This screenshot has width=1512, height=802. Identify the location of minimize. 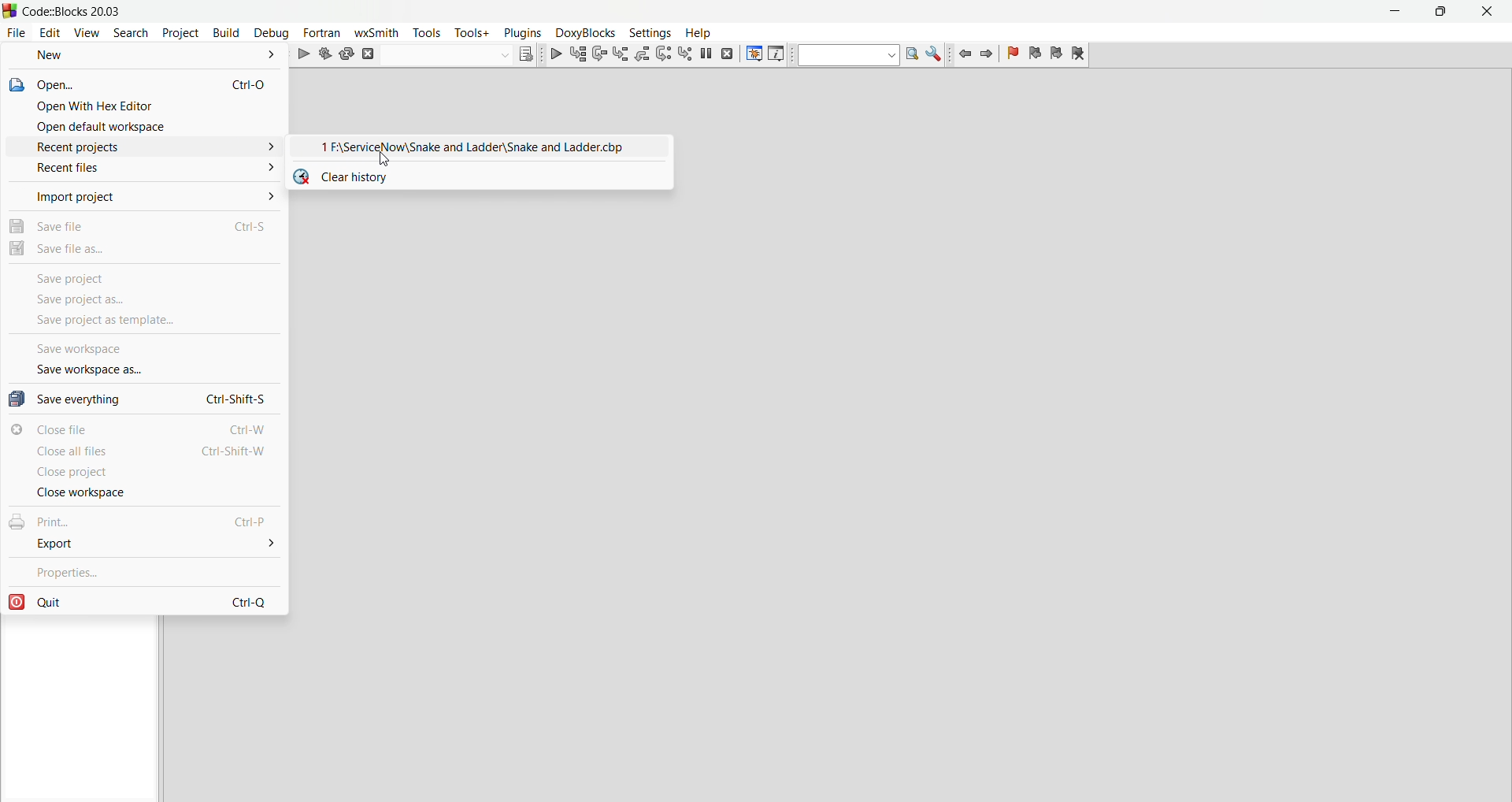
(1396, 13).